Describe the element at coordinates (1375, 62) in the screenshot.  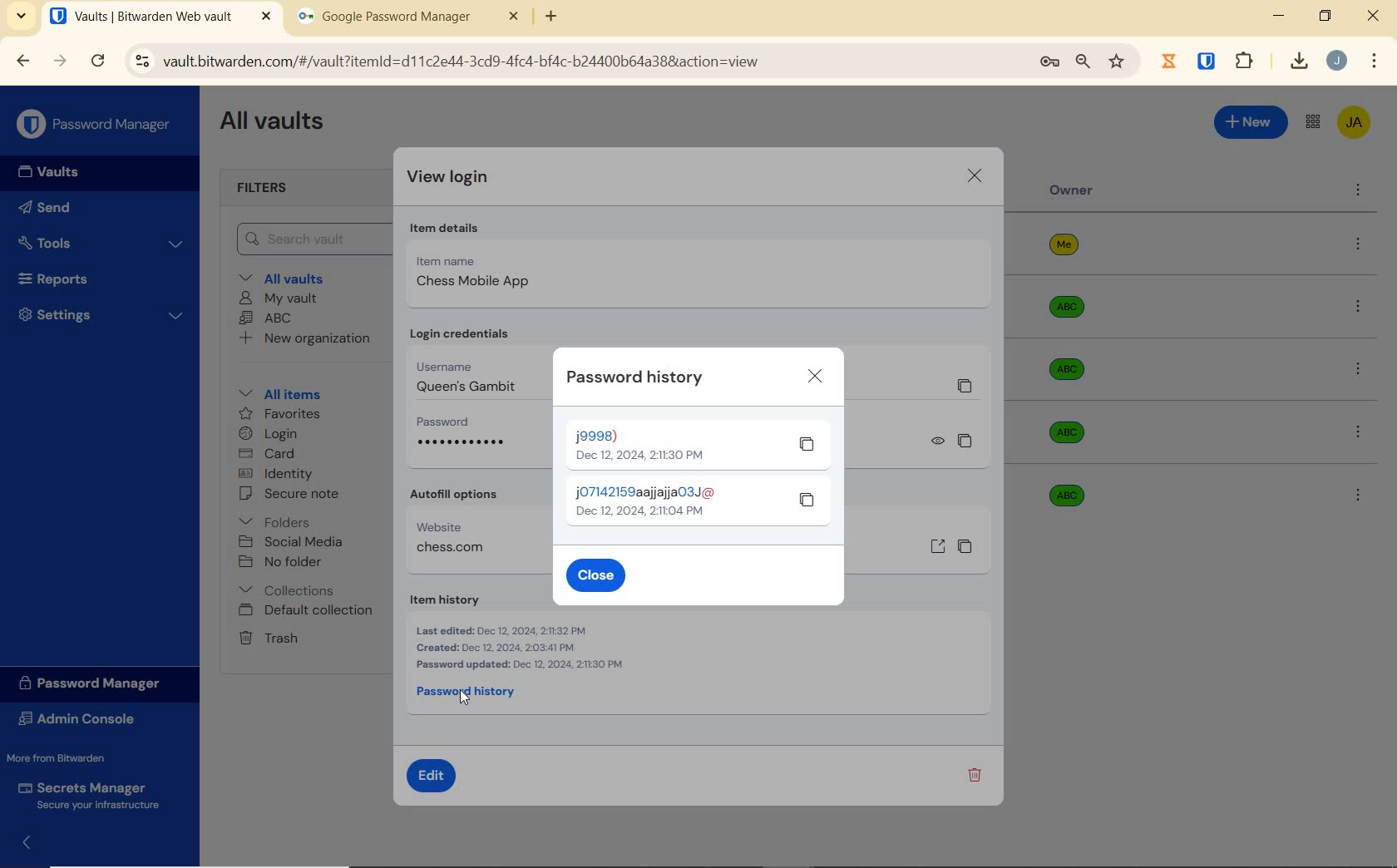
I see `customize Google chrome` at that location.